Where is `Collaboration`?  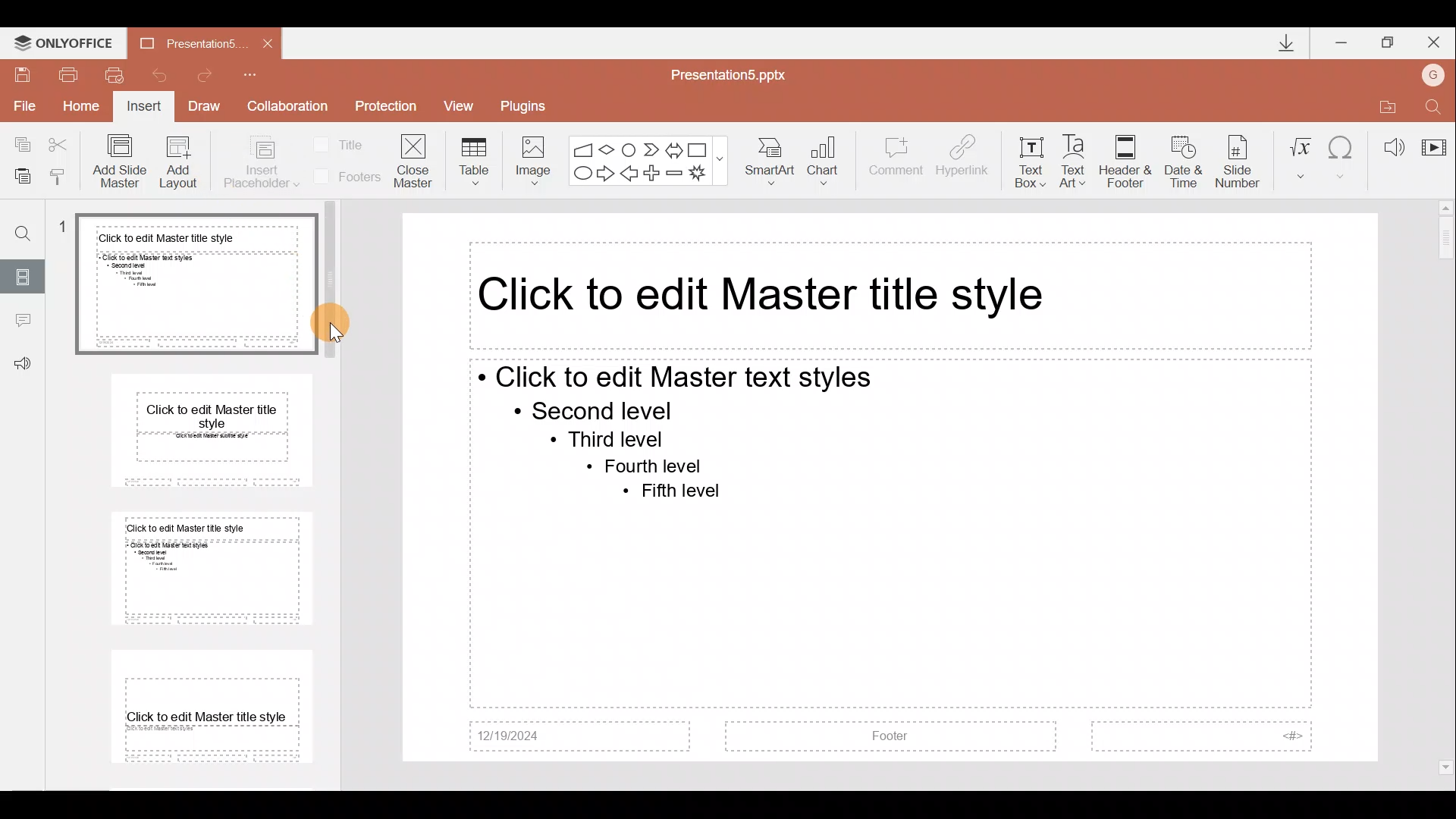 Collaboration is located at coordinates (287, 106).